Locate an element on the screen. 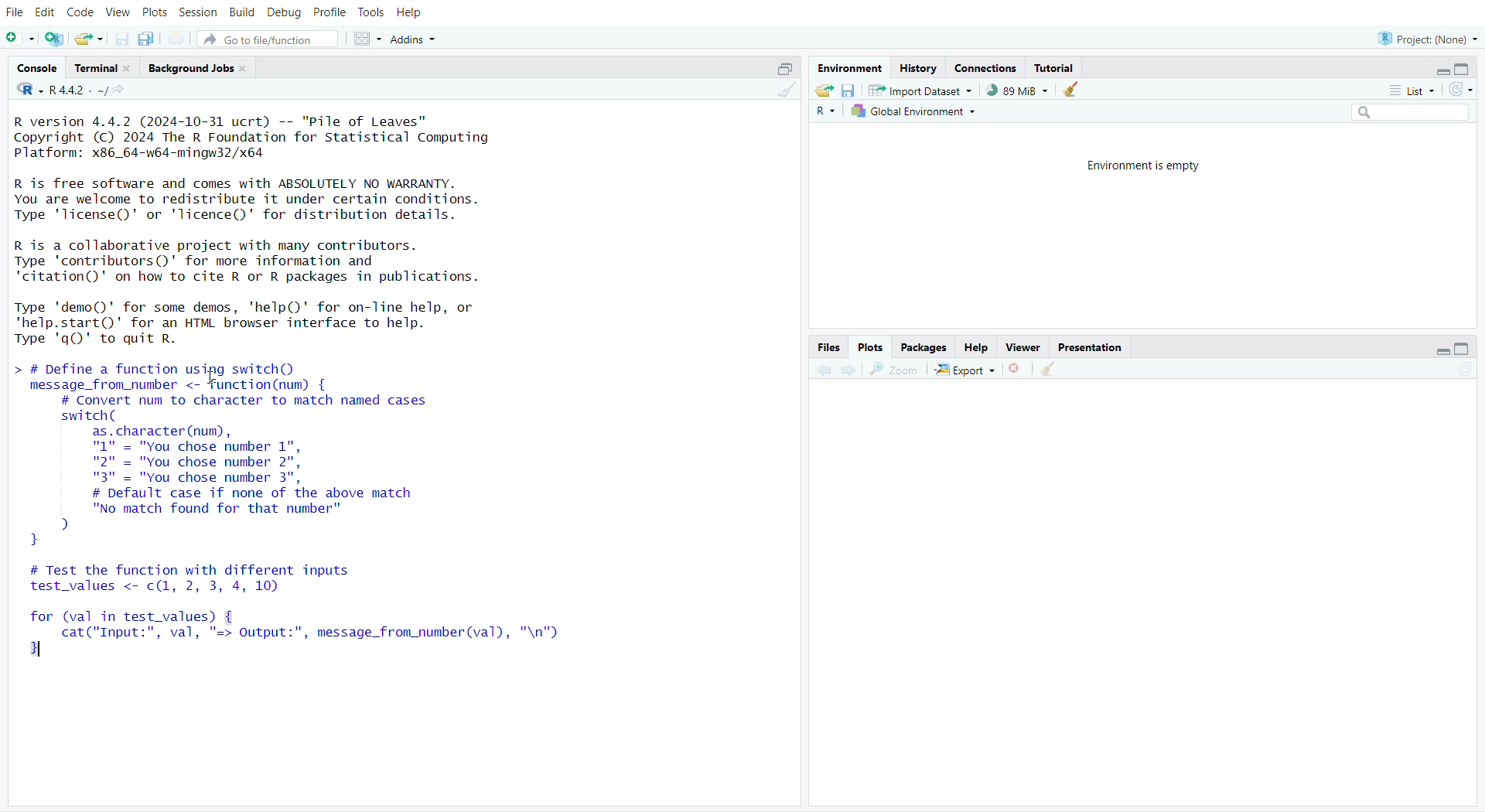 The height and width of the screenshot is (812, 1485). Clear console (Ctrl +L) is located at coordinates (783, 92).